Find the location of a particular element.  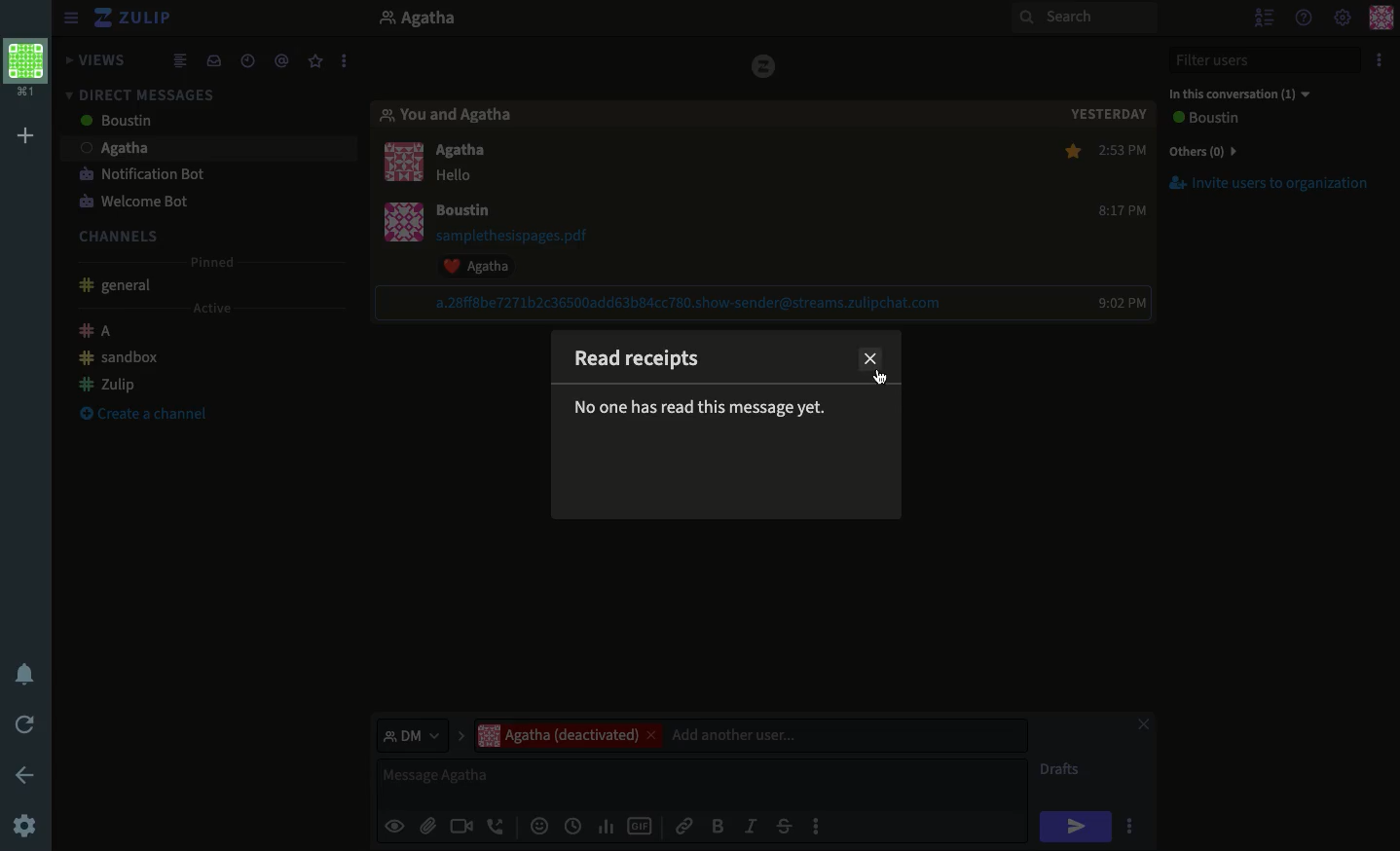

Create a channel is located at coordinates (139, 416).